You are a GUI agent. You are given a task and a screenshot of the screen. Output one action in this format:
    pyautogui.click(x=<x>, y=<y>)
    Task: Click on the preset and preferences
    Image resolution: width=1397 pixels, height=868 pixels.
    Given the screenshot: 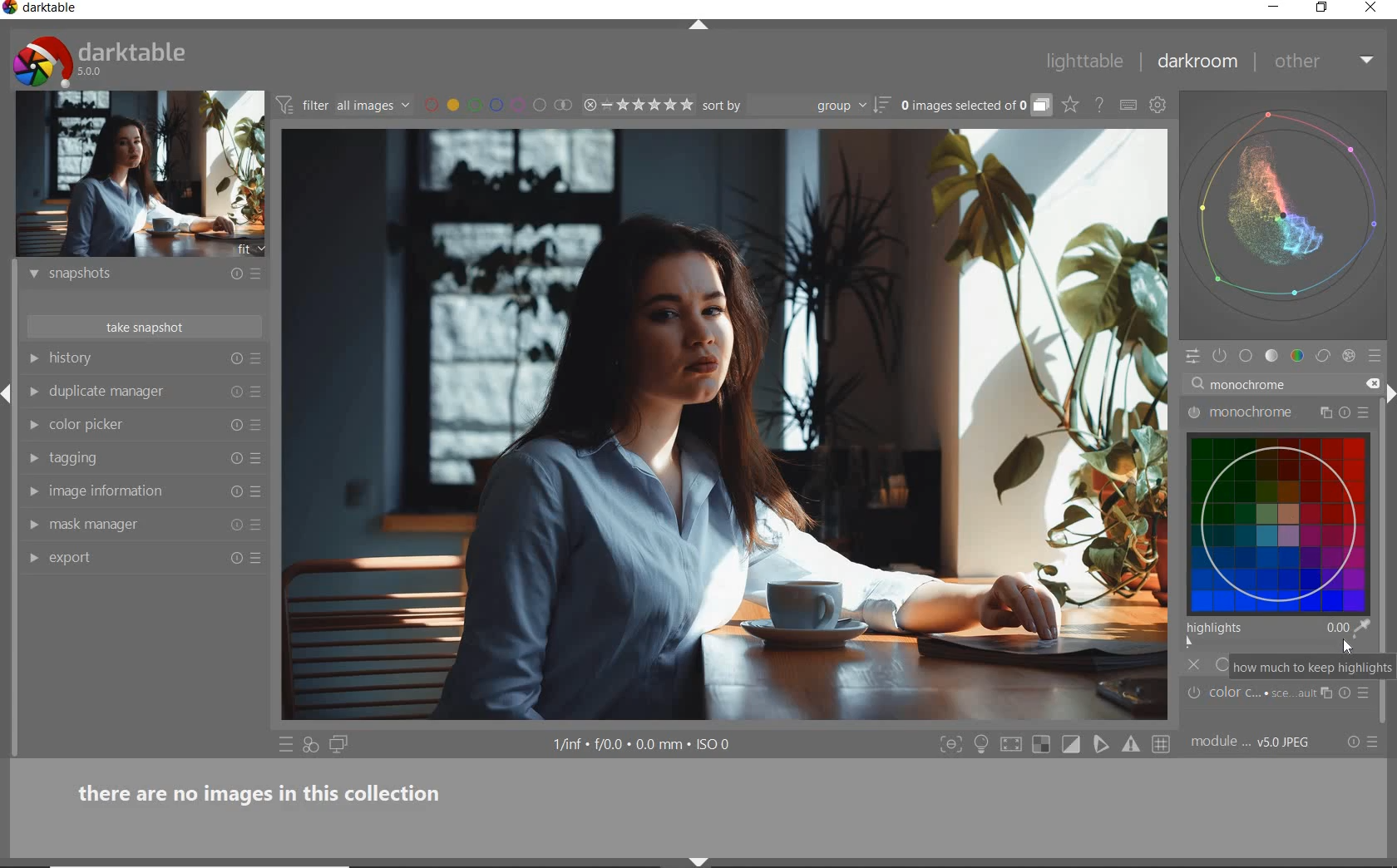 What is the action you would take?
    pyautogui.click(x=1364, y=416)
    